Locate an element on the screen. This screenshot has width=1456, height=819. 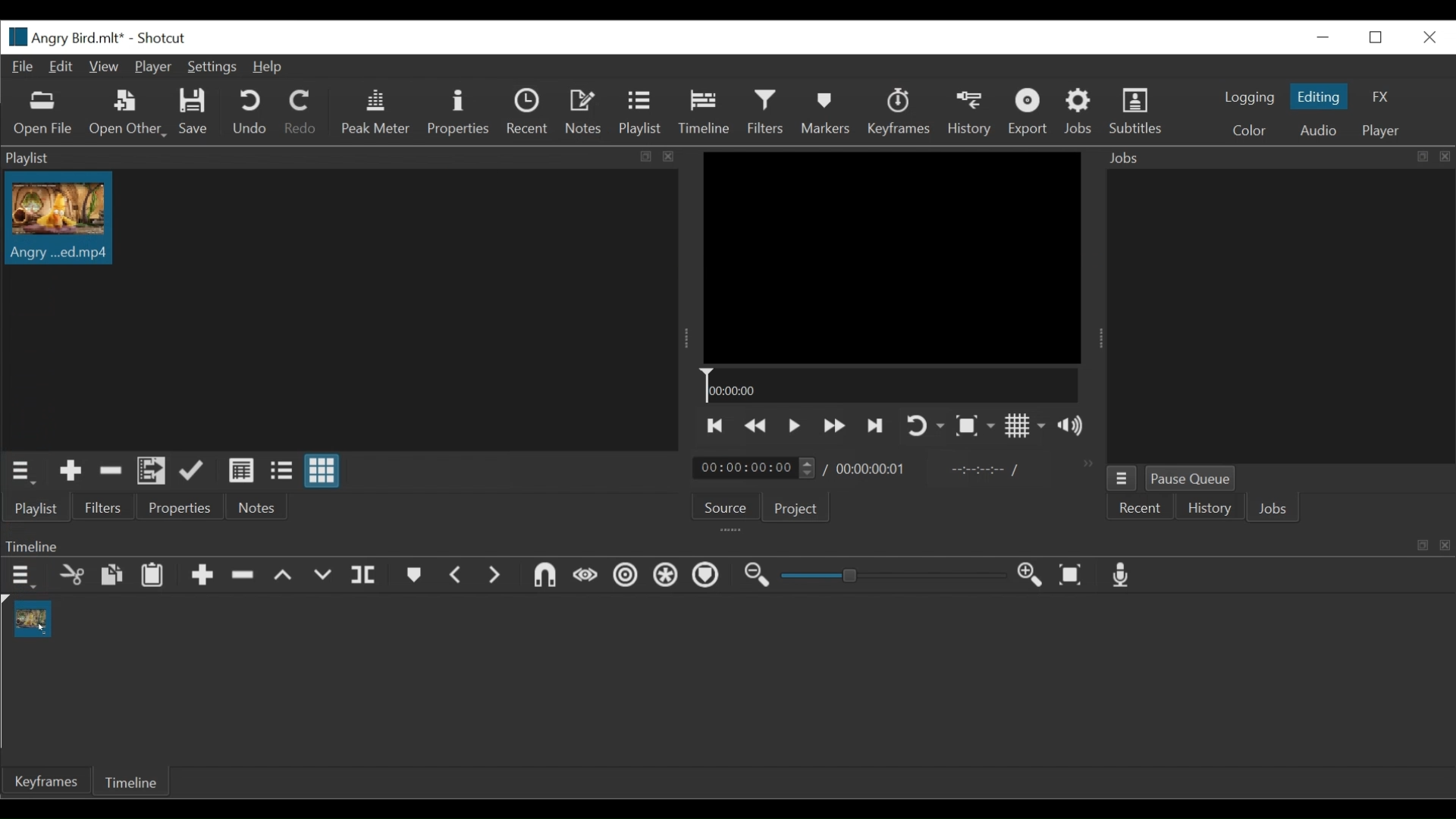
Toggle player looping is located at coordinates (923, 425).